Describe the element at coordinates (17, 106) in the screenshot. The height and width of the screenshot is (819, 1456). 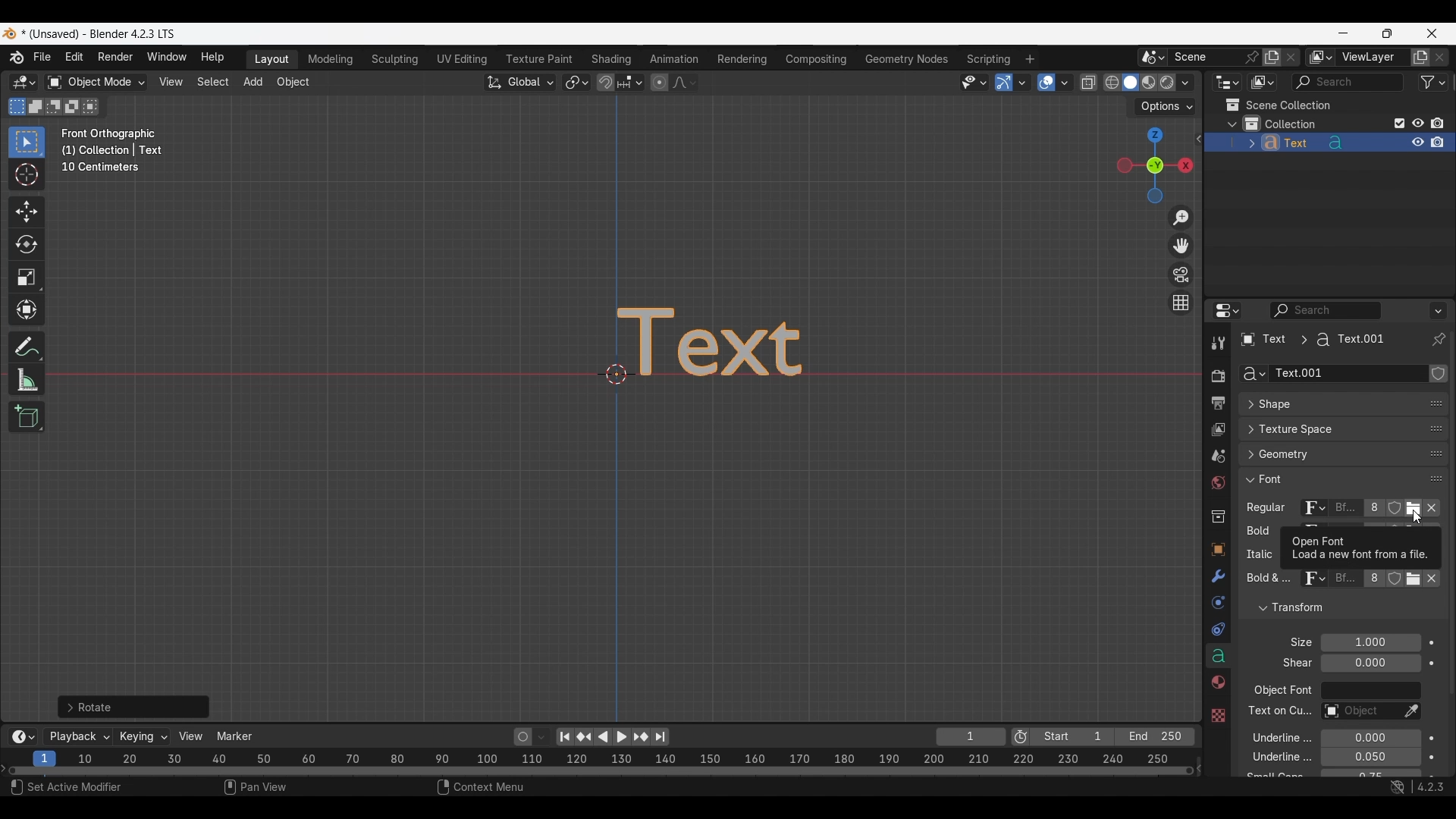
I see `Set a new selection` at that location.